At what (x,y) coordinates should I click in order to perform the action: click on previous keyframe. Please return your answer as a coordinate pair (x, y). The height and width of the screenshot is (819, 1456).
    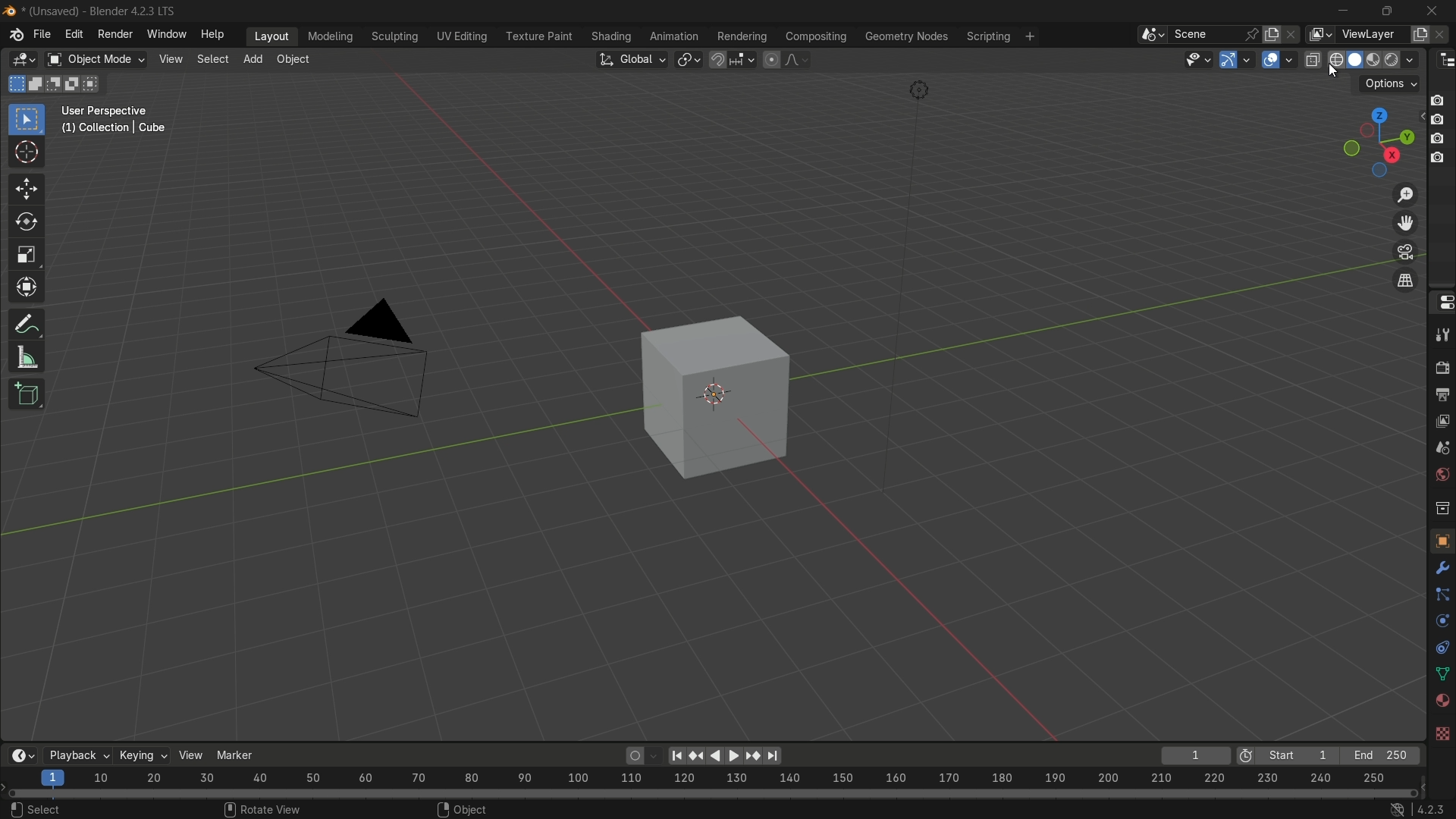
    Looking at the image, I should click on (697, 758).